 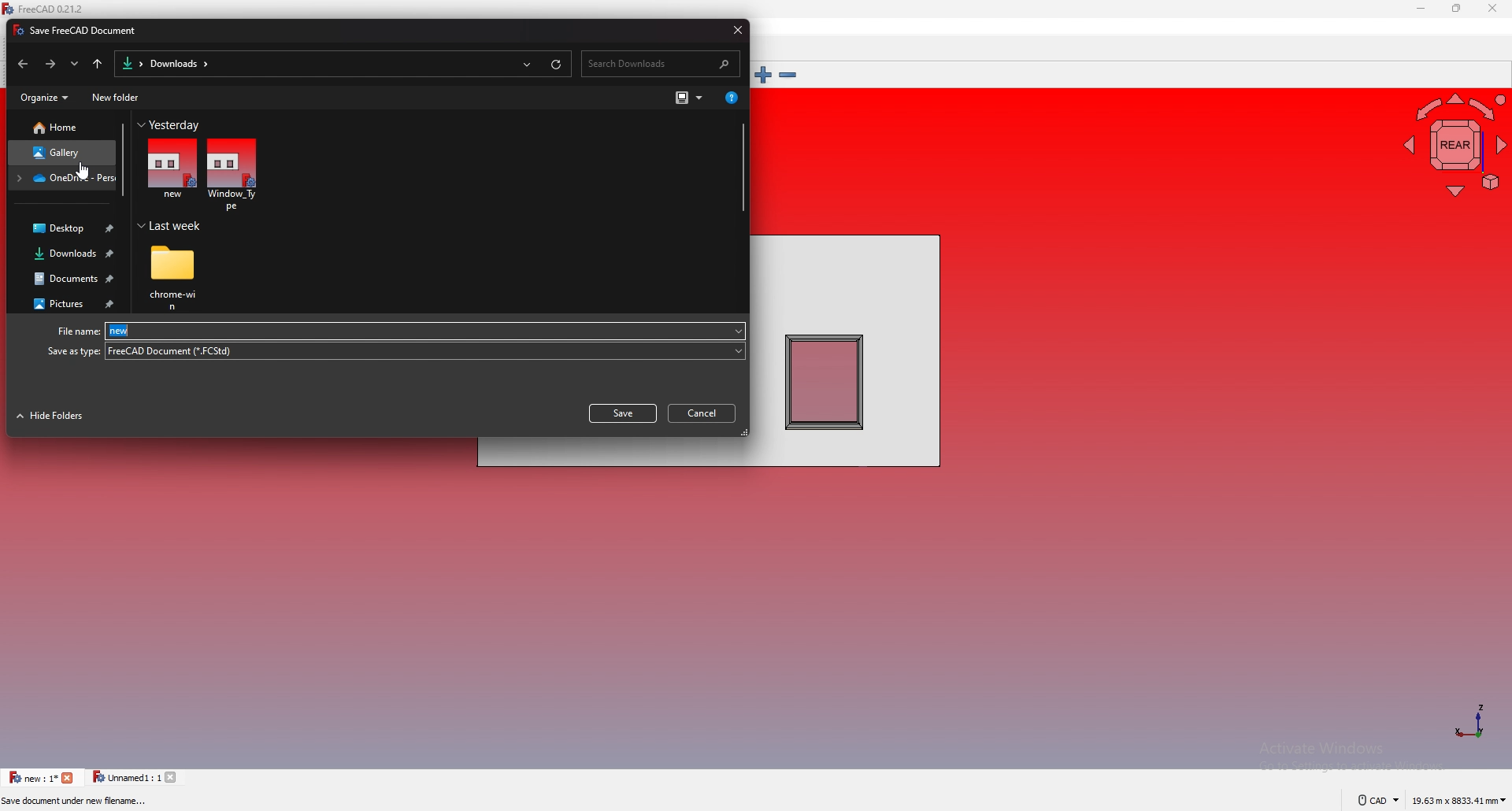 What do you see at coordinates (181, 802) in the screenshot?
I see `Preselected: Window_Type.Wall.Edge4 (5000.000000 mm, 0.000000 mm, 2895.591309 mm)` at bounding box center [181, 802].